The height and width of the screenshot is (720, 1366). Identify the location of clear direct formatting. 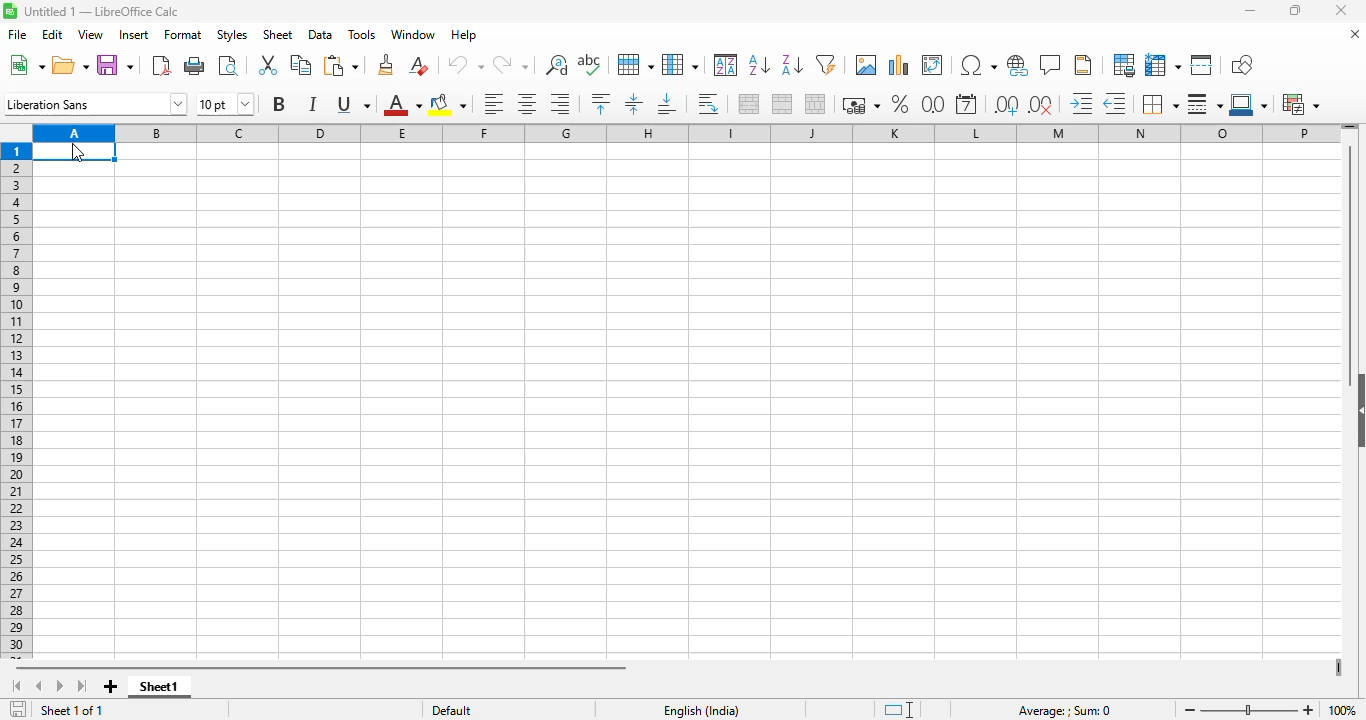
(418, 65).